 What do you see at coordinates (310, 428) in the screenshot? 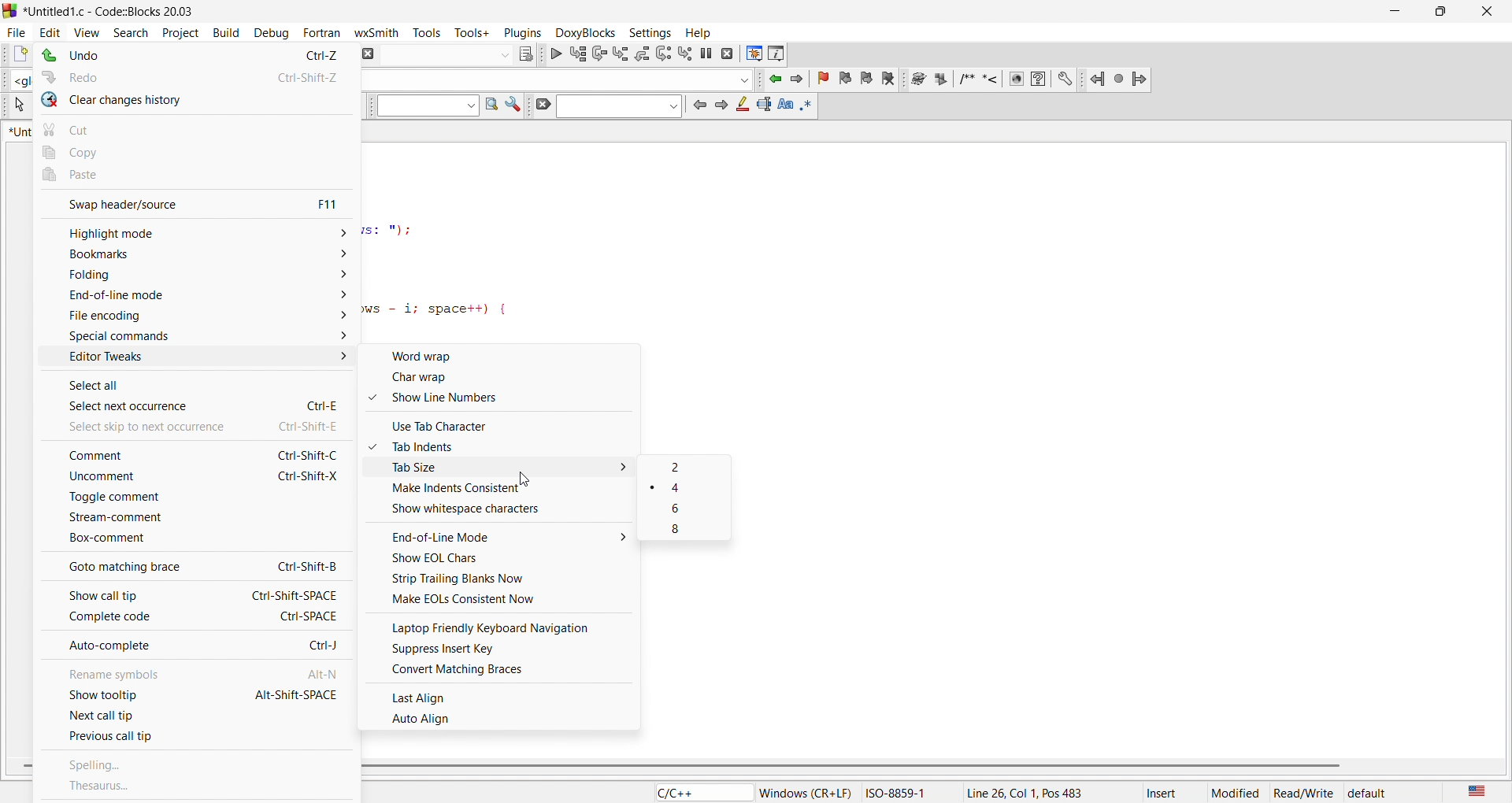
I see `Ctrl-Shift-e` at bounding box center [310, 428].